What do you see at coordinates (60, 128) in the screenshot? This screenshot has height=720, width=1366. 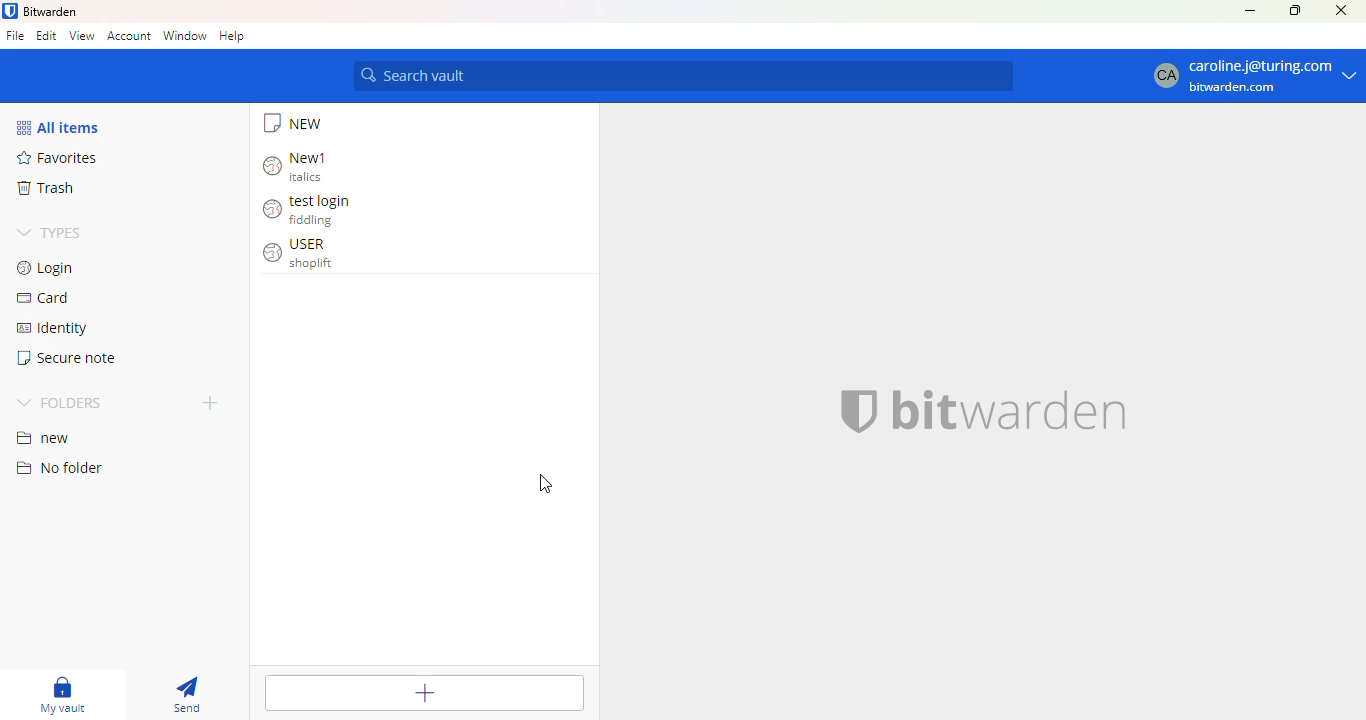 I see `all items` at bounding box center [60, 128].